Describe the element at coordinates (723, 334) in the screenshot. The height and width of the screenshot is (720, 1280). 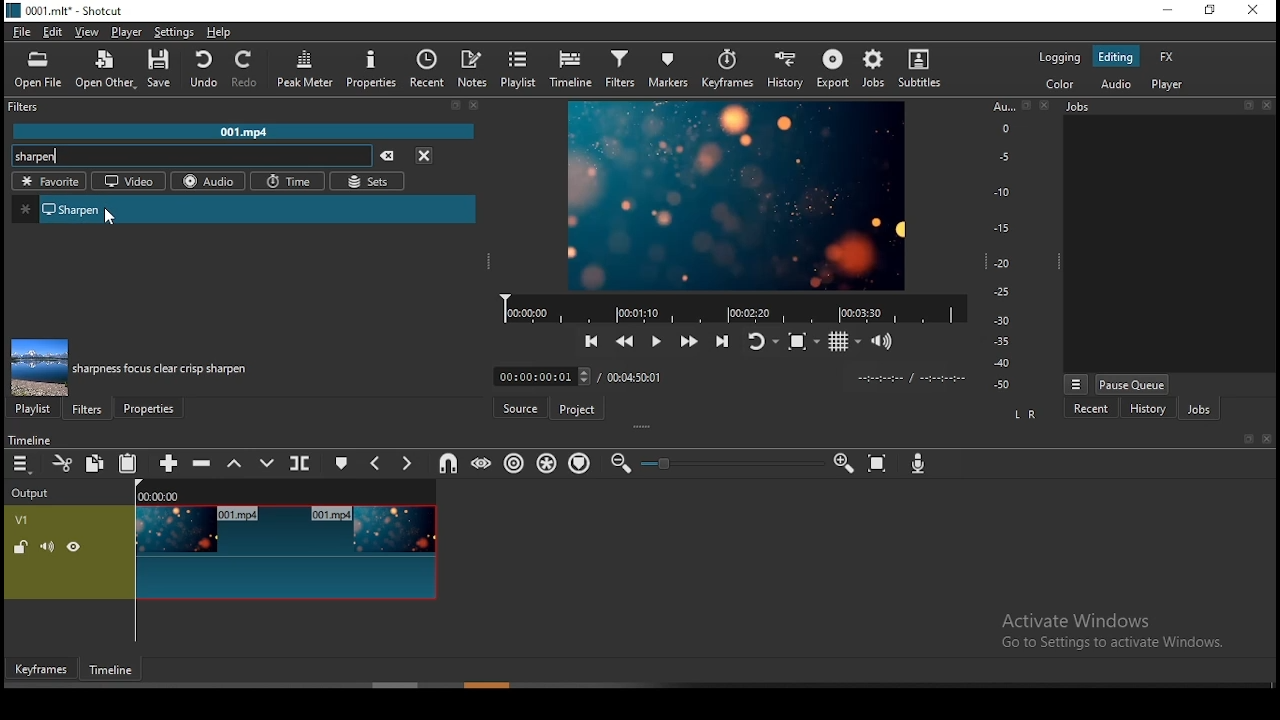
I see `skip to next point` at that location.